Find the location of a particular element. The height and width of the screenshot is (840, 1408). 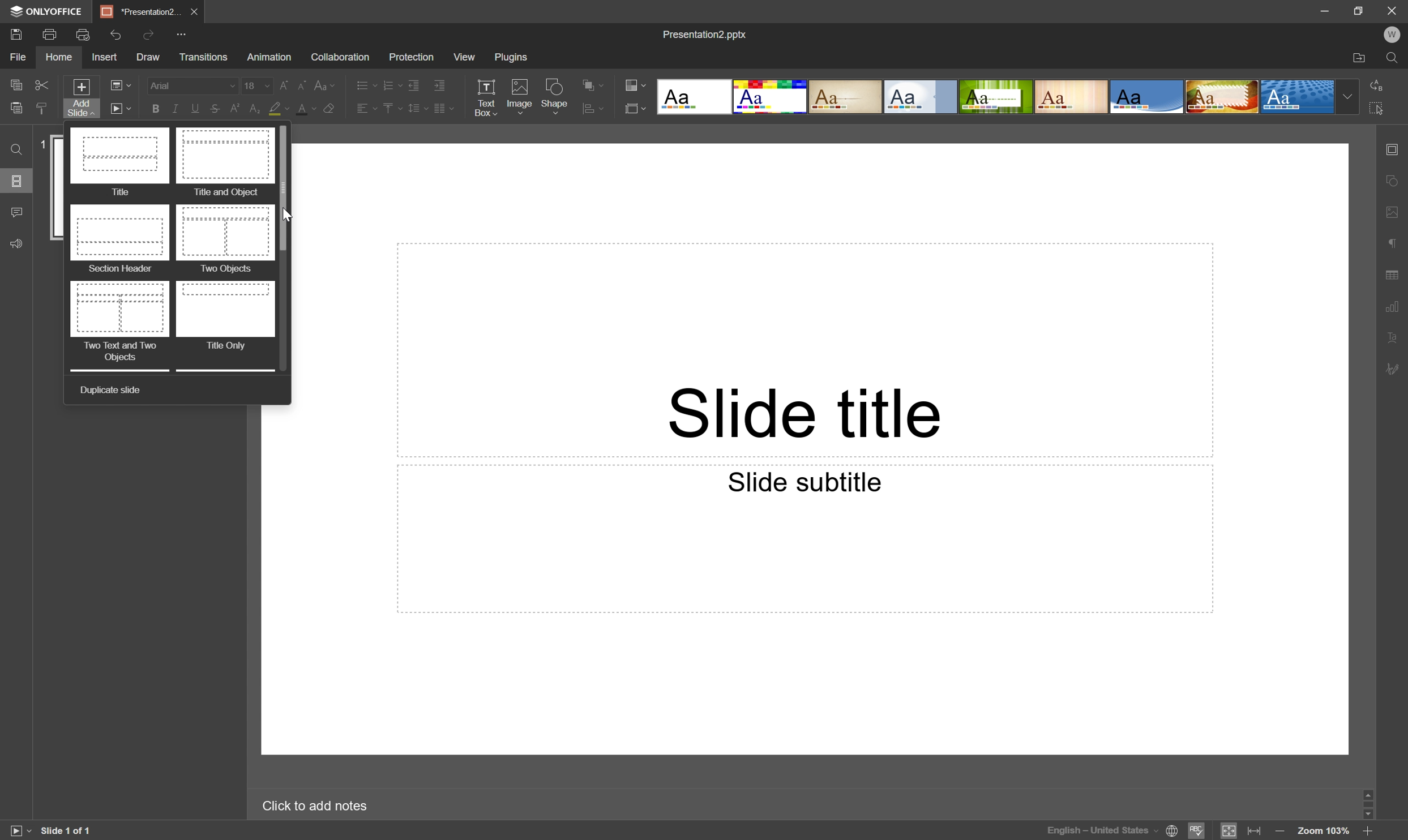

Bold is located at coordinates (155, 108).